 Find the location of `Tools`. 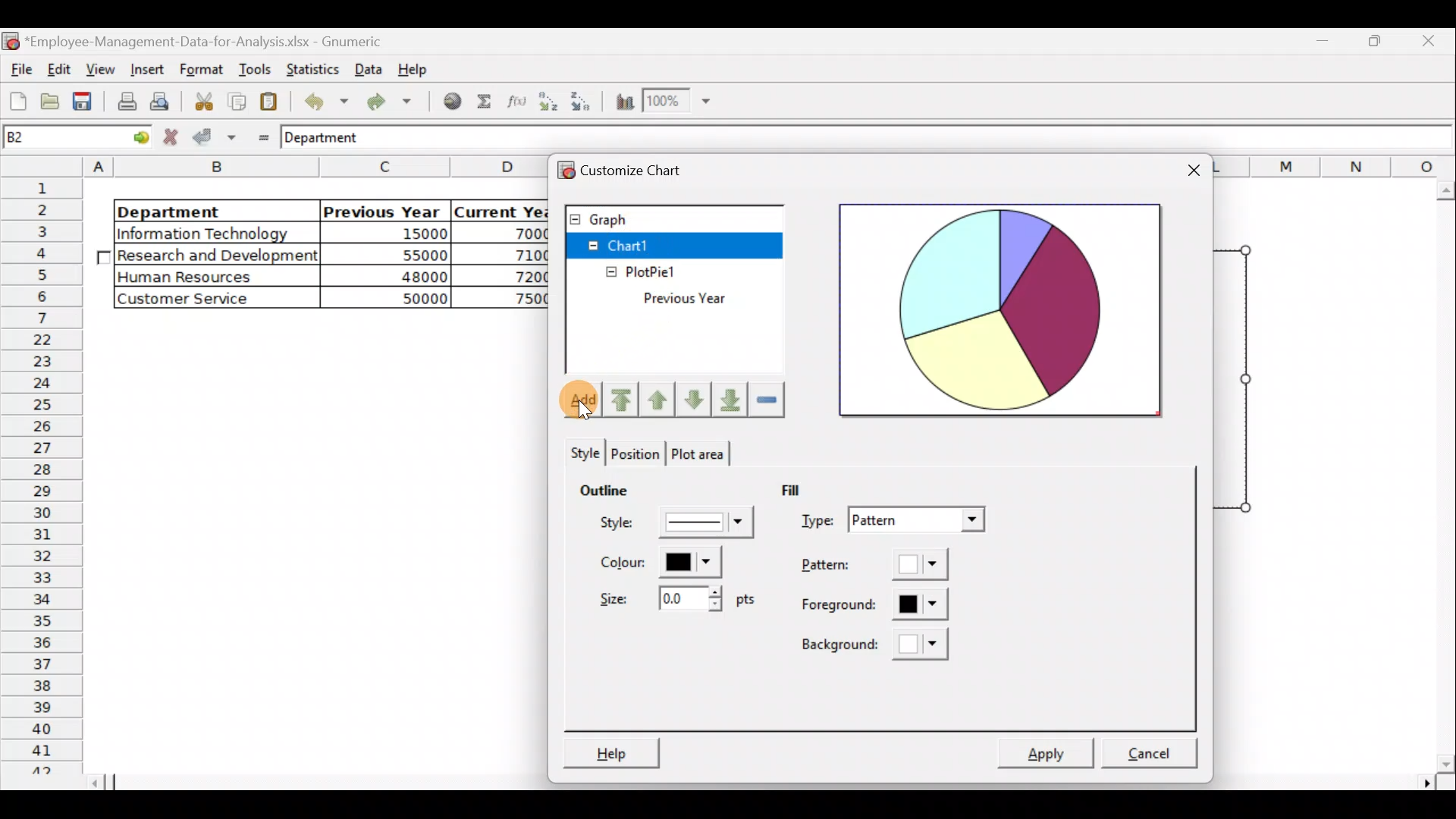

Tools is located at coordinates (251, 68).